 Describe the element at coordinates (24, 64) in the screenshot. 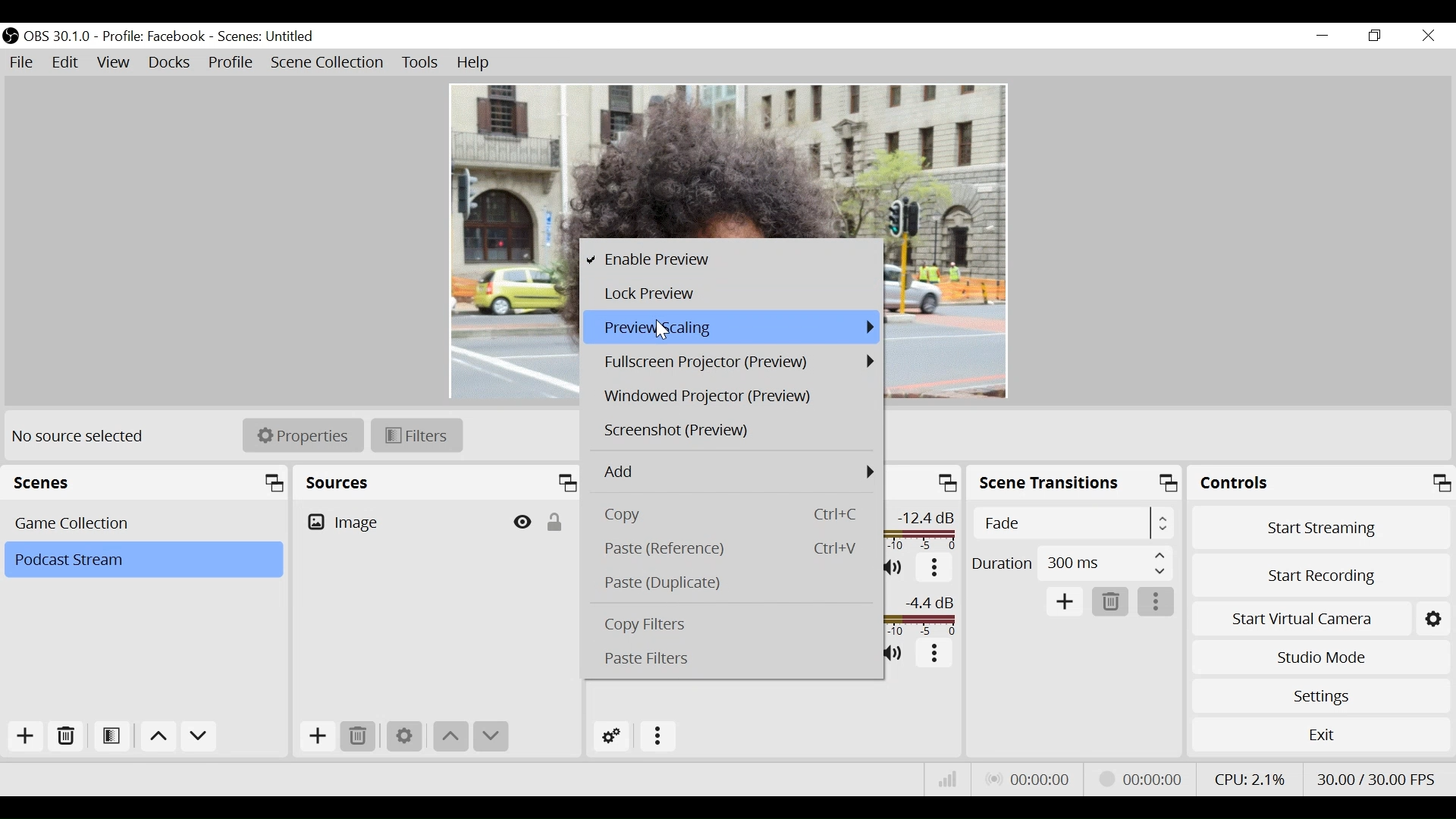

I see `File` at that location.